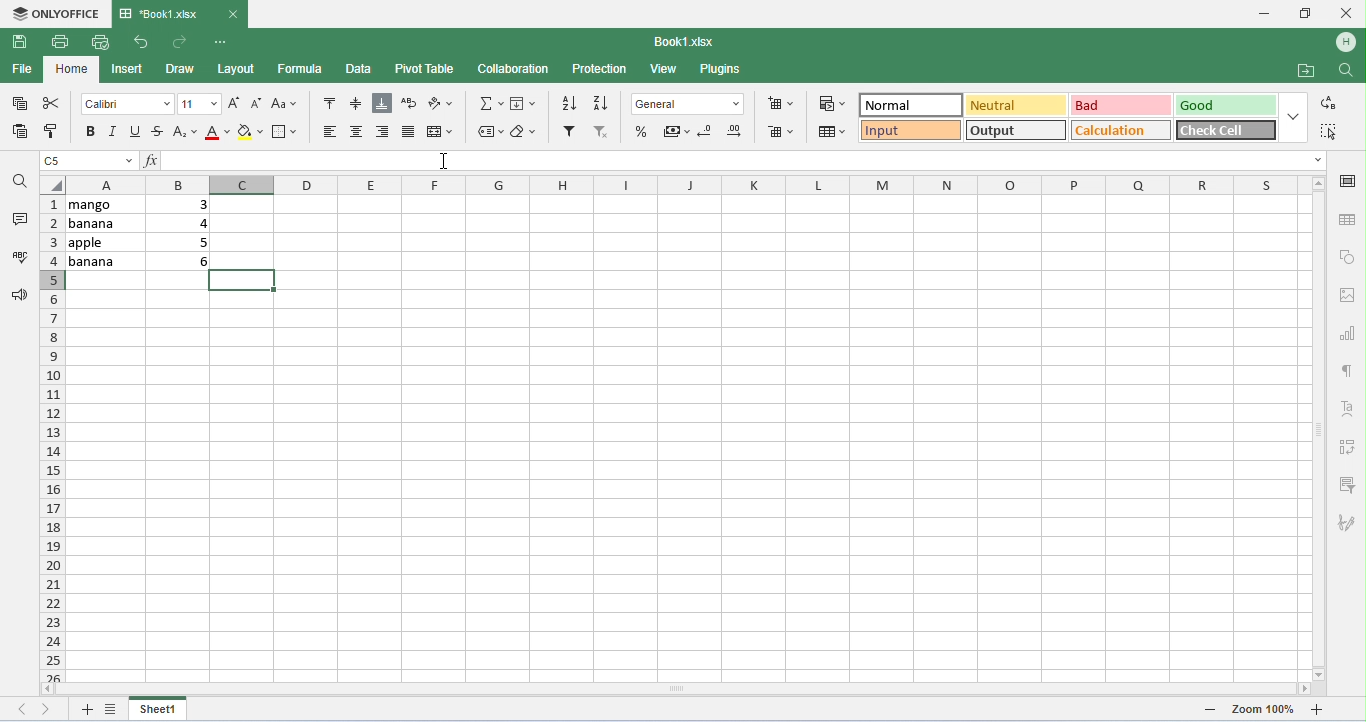 This screenshot has width=1366, height=722. Describe the element at coordinates (193, 262) in the screenshot. I see `6` at that location.